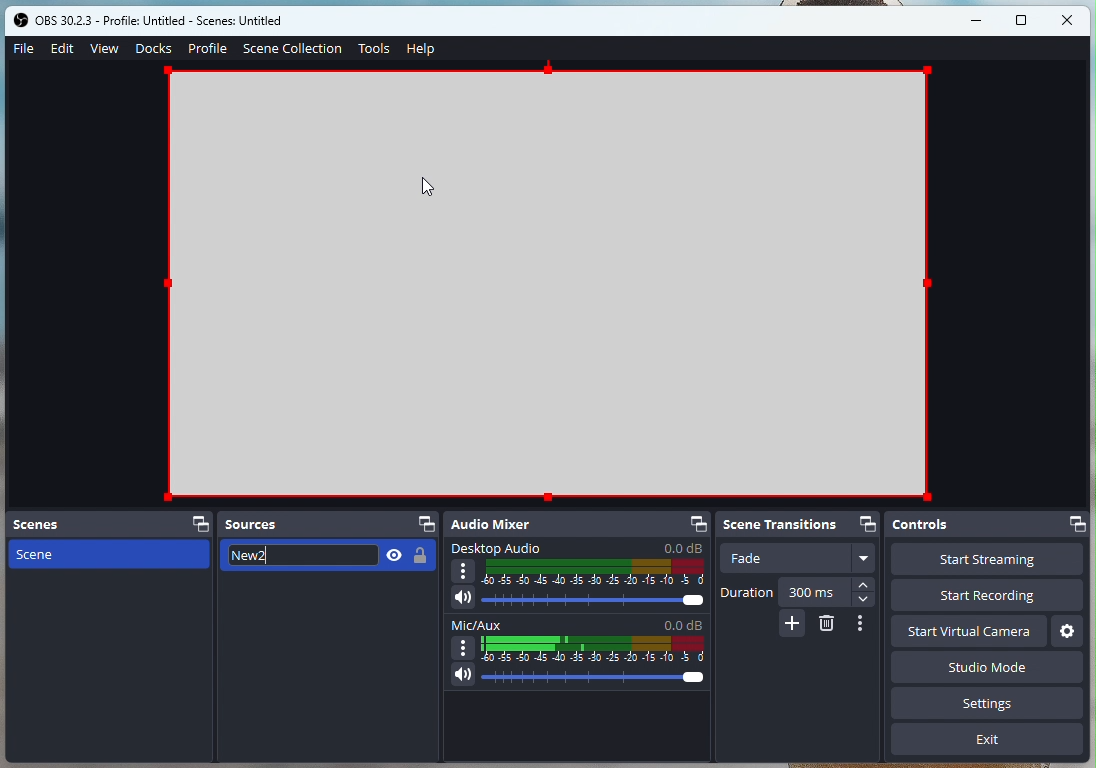  I want to click on maximise, so click(1023, 21).